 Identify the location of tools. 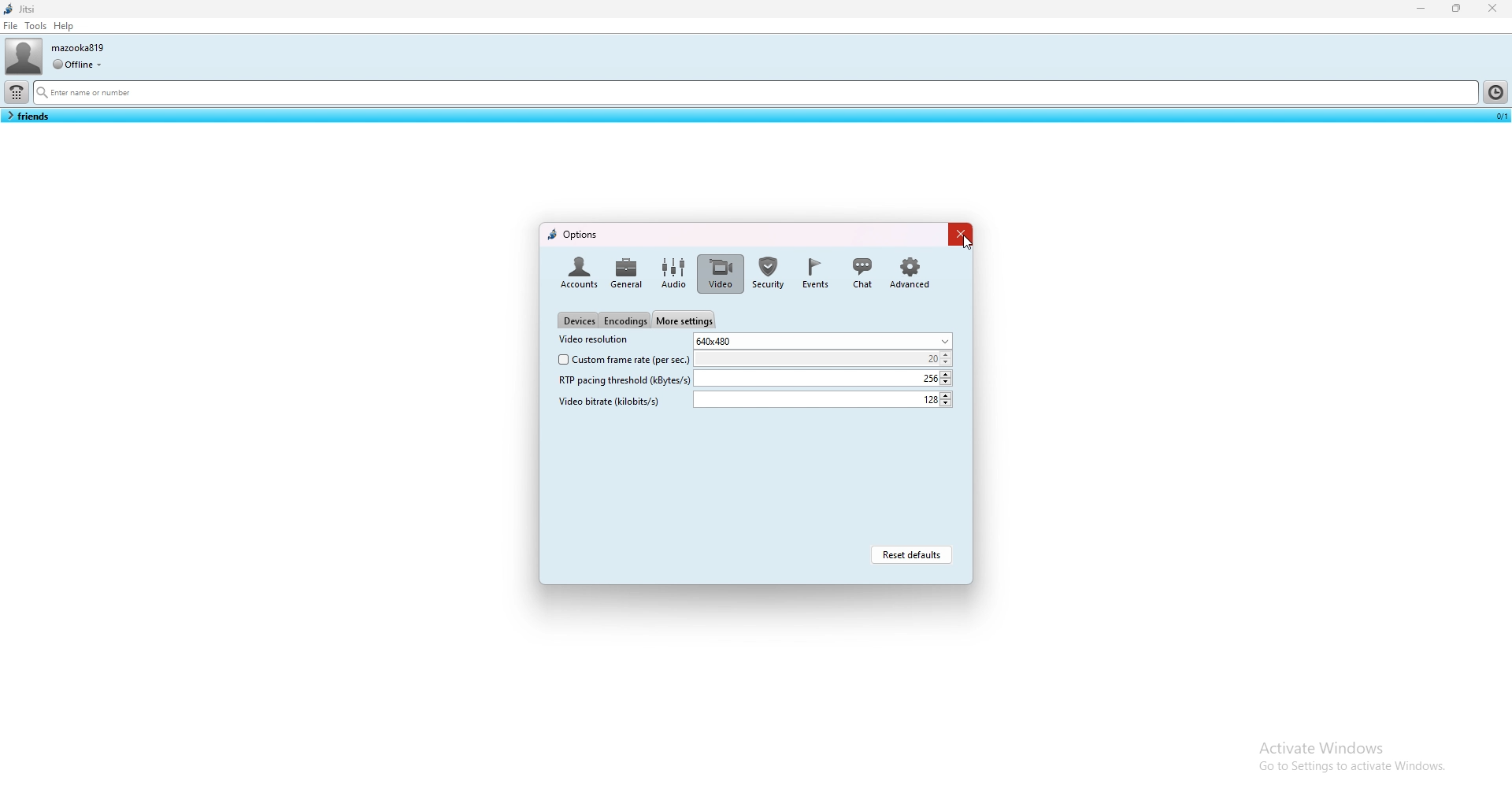
(35, 25).